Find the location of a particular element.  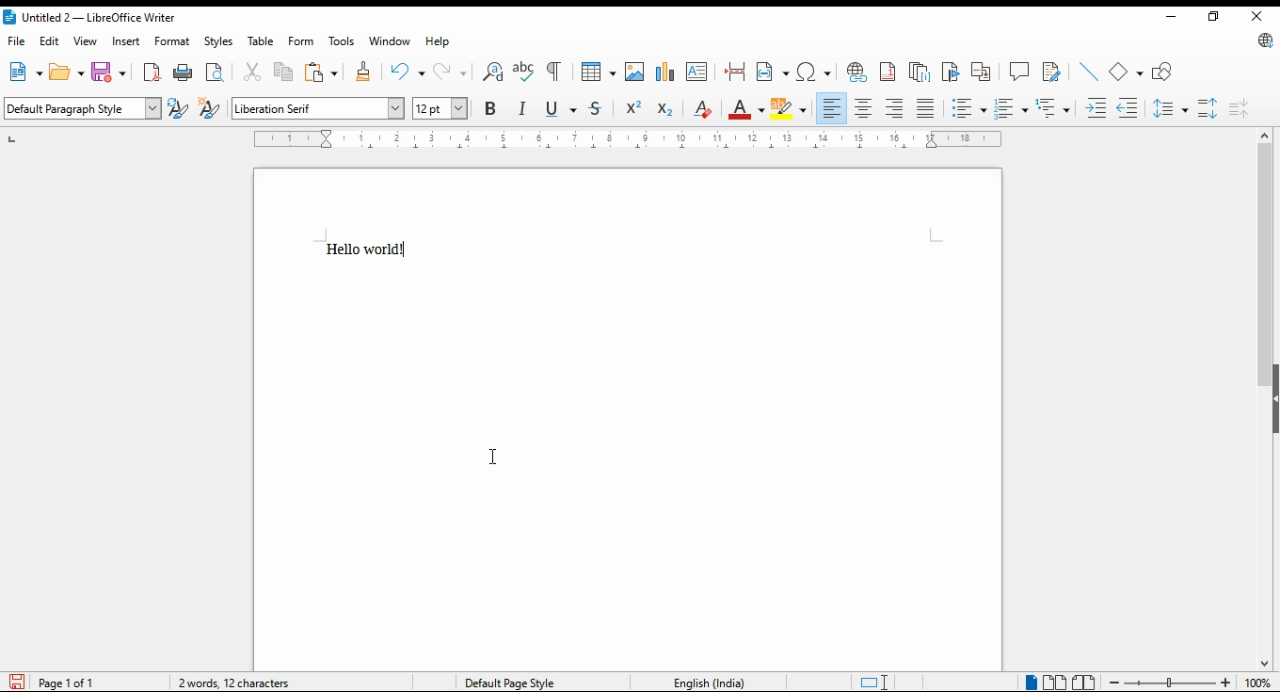

increase paragraph spacing  is located at coordinates (1207, 107).